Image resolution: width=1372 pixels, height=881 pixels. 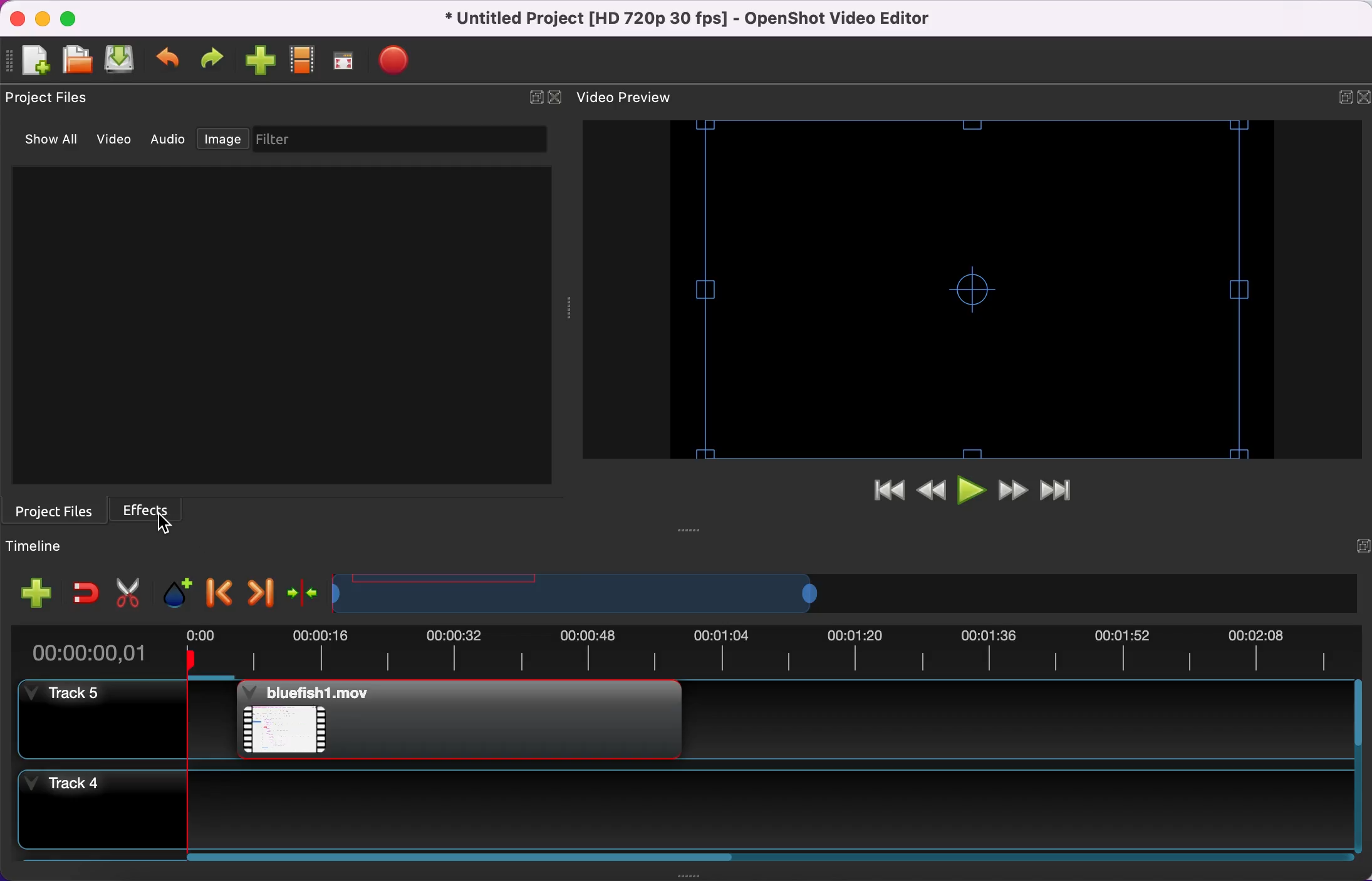 I want to click on open file, so click(x=77, y=61).